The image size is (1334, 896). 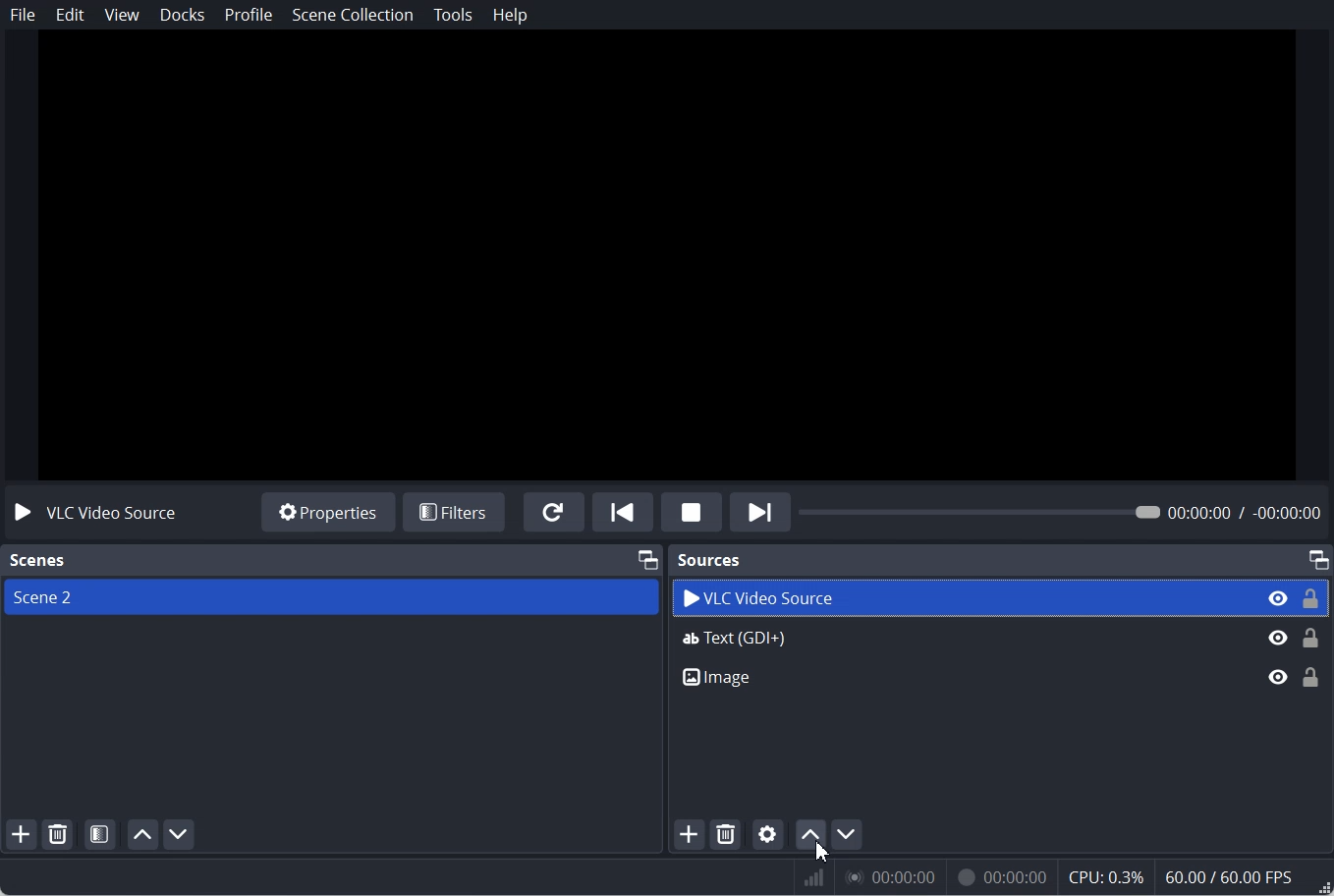 What do you see at coordinates (250, 15) in the screenshot?
I see `Profile` at bounding box center [250, 15].